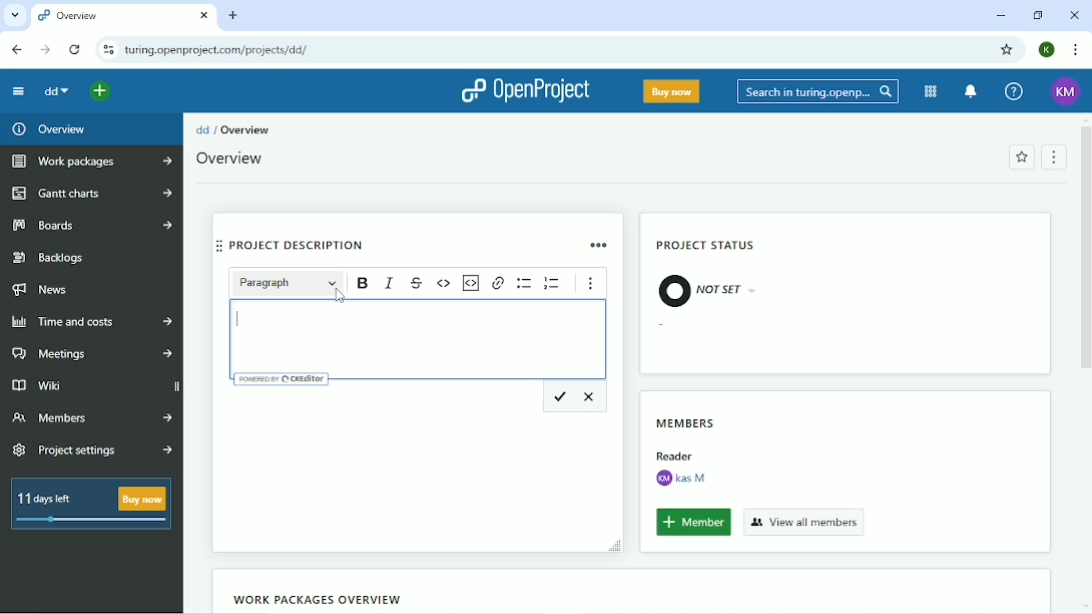 This screenshot has width=1092, height=614. Describe the element at coordinates (708, 247) in the screenshot. I see `Project status` at that location.